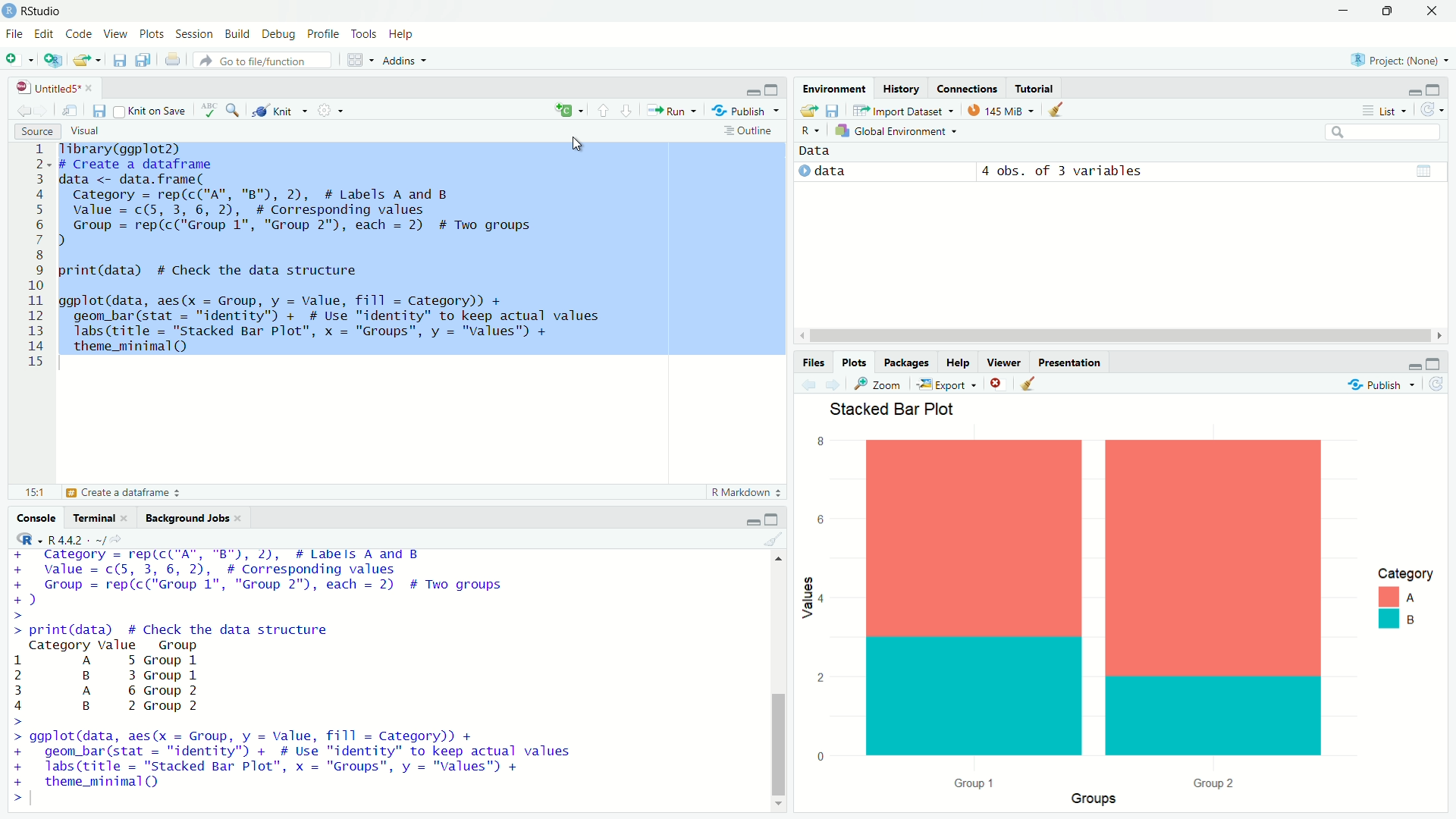  I want to click on © data 4 obs. of 3 variables, so click(1057, 170).